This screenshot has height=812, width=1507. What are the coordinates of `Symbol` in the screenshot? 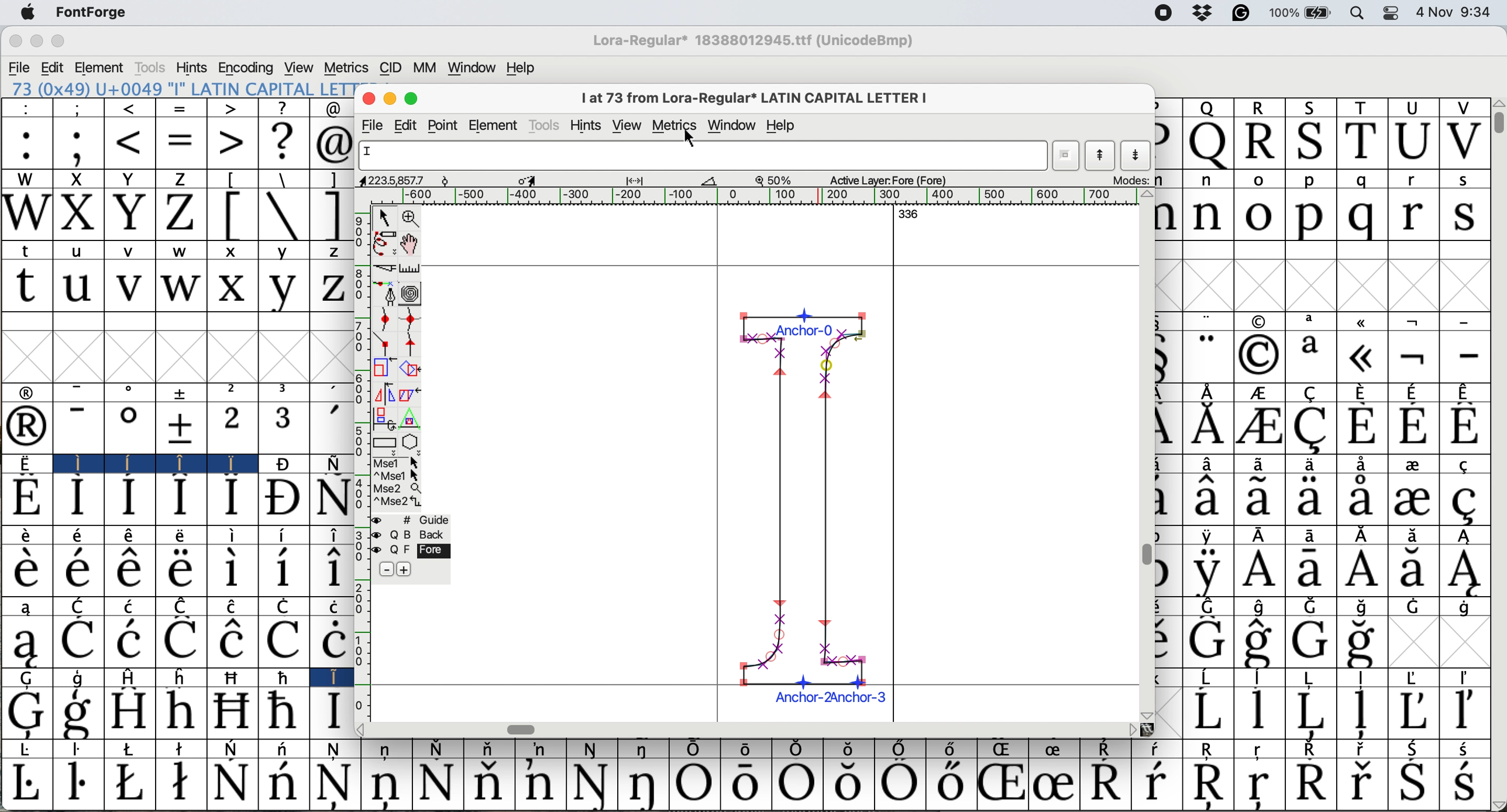 It's located at (1209, 535).